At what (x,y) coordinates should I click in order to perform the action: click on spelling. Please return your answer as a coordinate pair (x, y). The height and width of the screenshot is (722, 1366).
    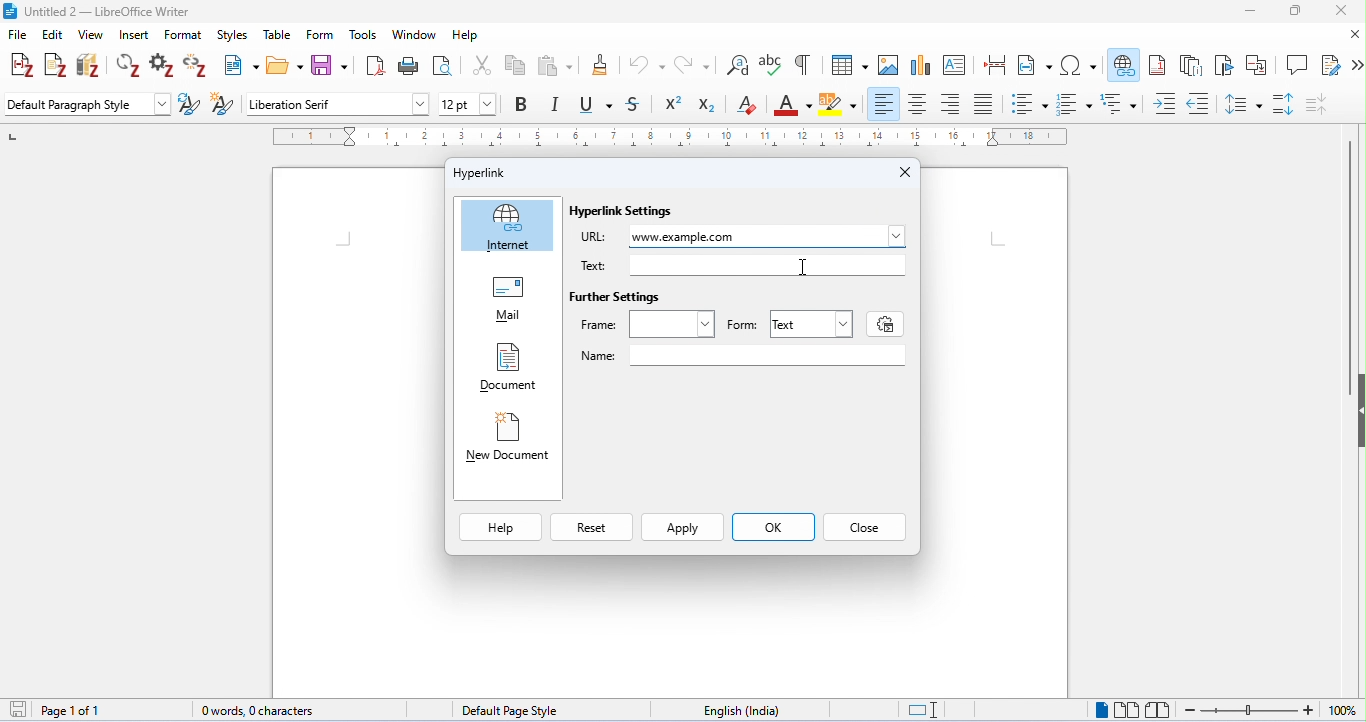
    Looking at the image, I should click on (772, 65).